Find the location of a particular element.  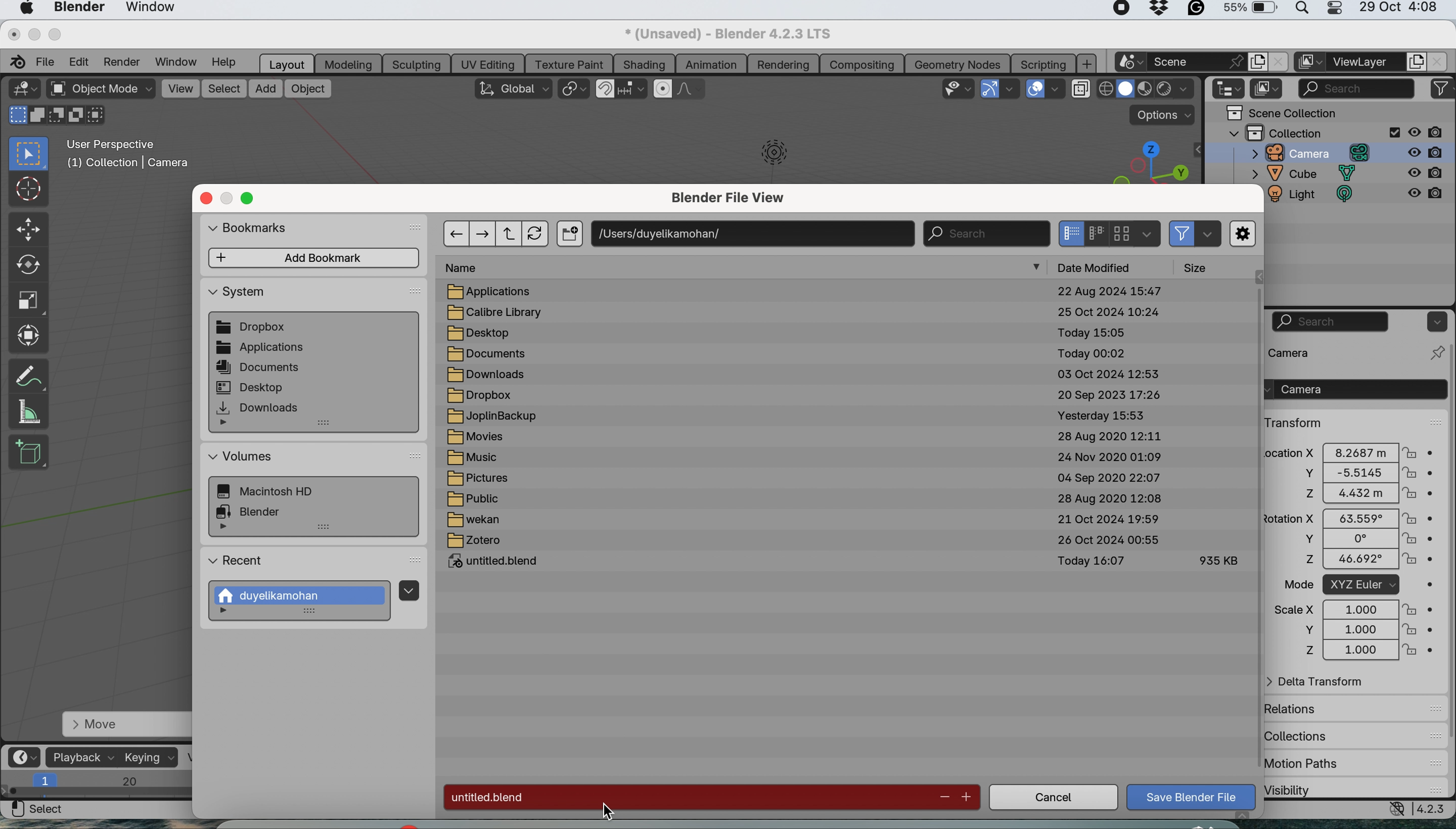

rendering is located at coordinates (783, 64).